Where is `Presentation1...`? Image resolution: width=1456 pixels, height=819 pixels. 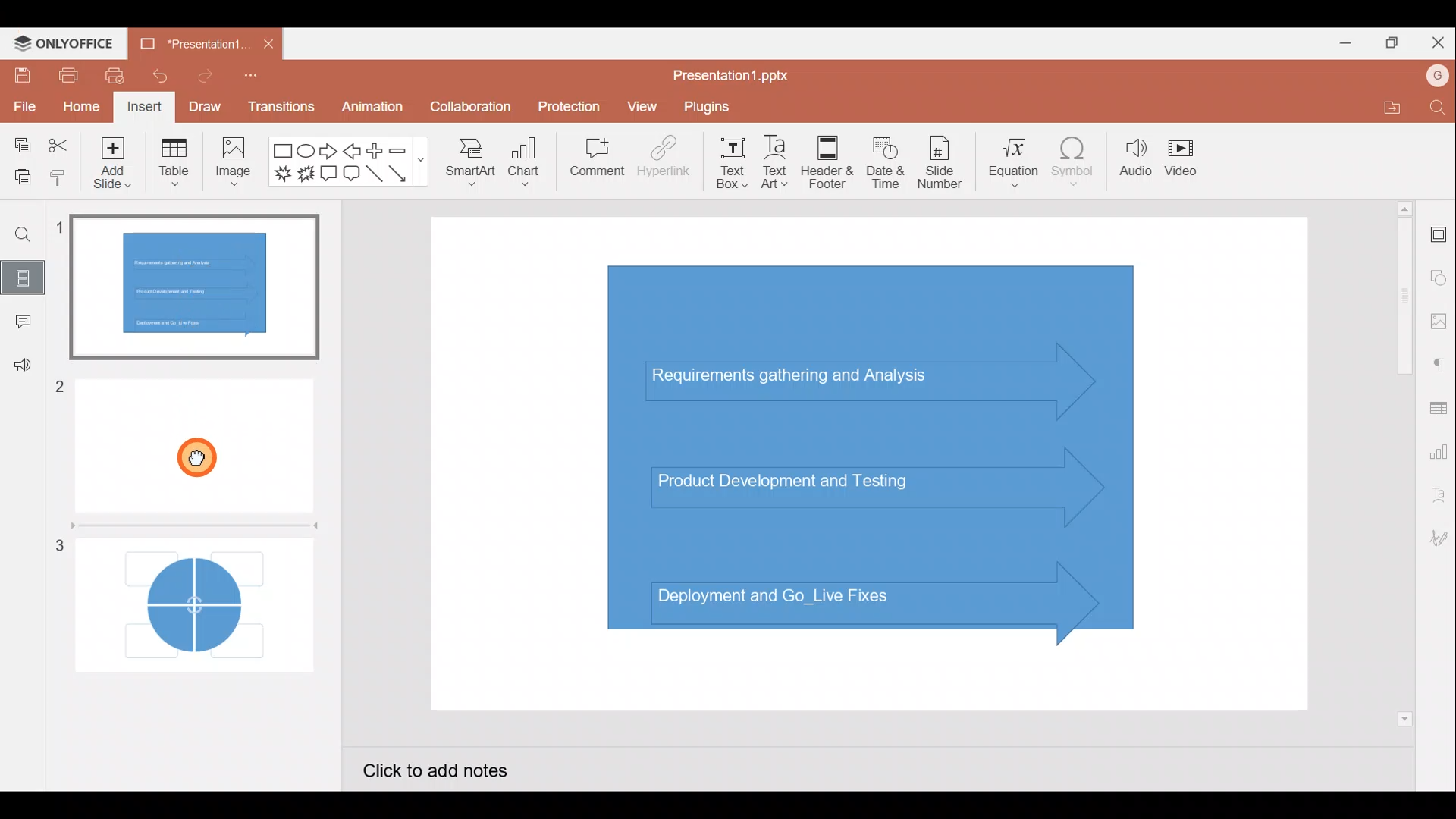
Presentation1... is located at coordinates (193, 46).